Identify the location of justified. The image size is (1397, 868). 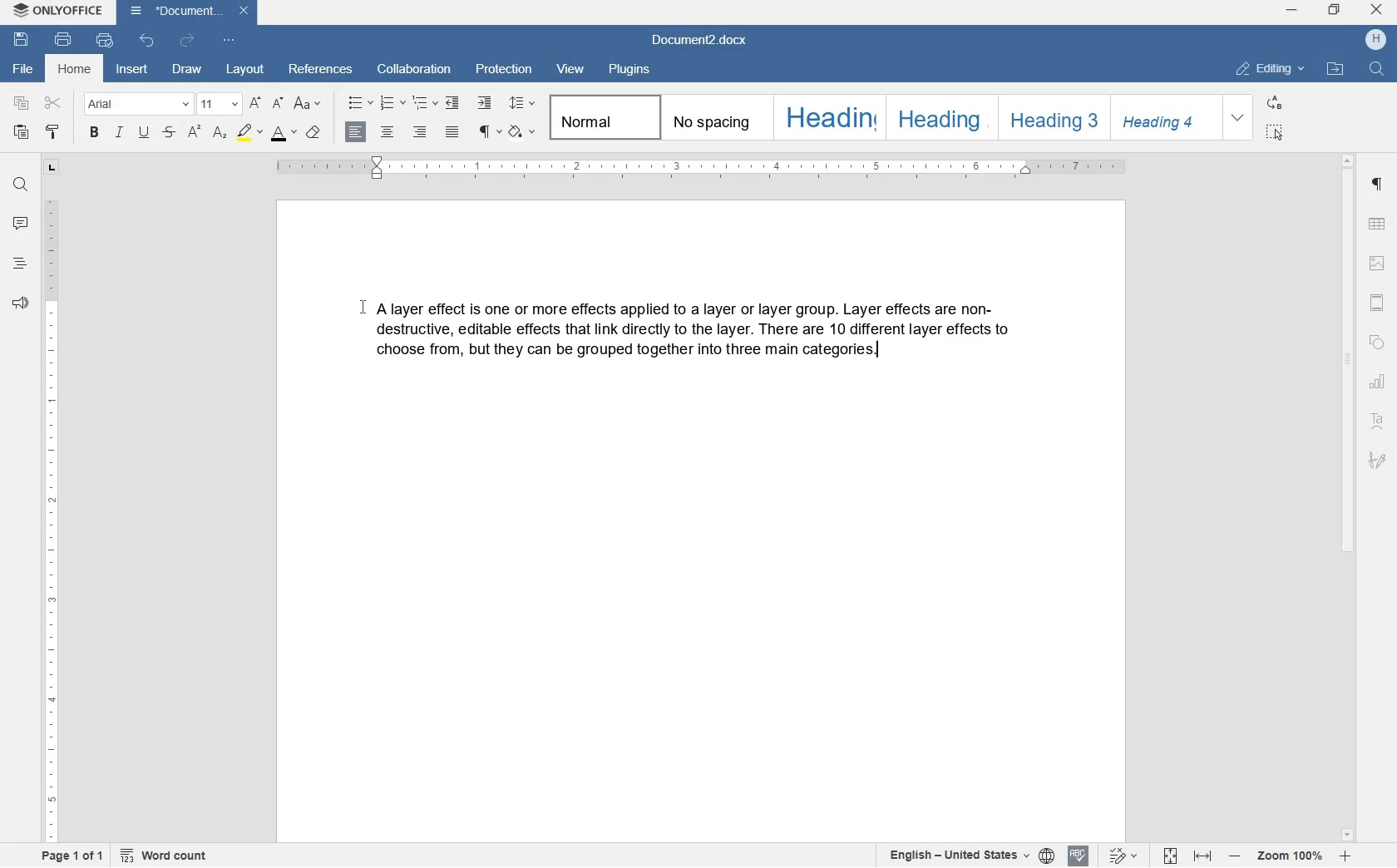
(454, 132).